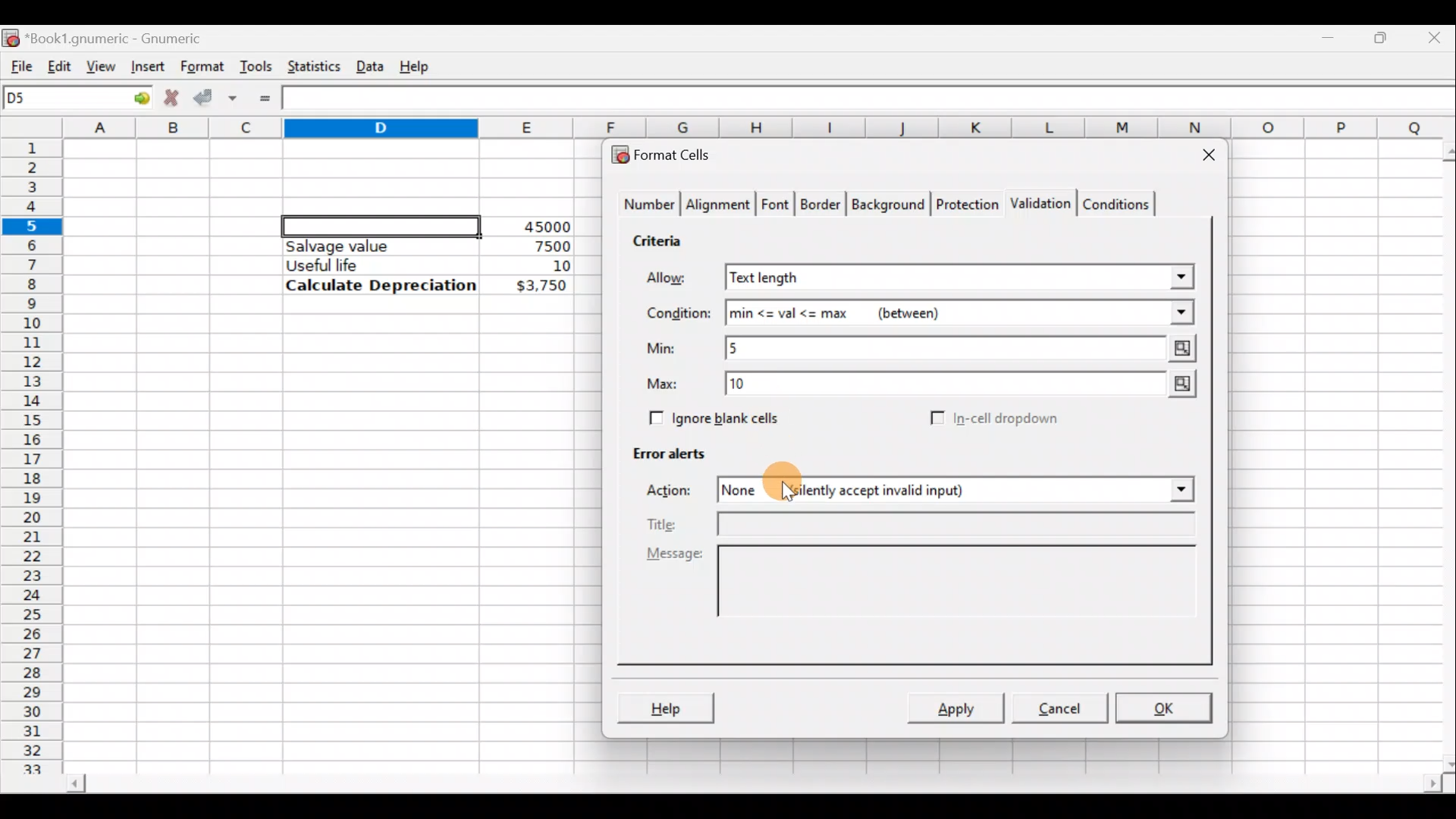  What do you see at coordinates (1169, 490) in the screenshot?
I see `Action drop down` at bounding box center [1169, 490].